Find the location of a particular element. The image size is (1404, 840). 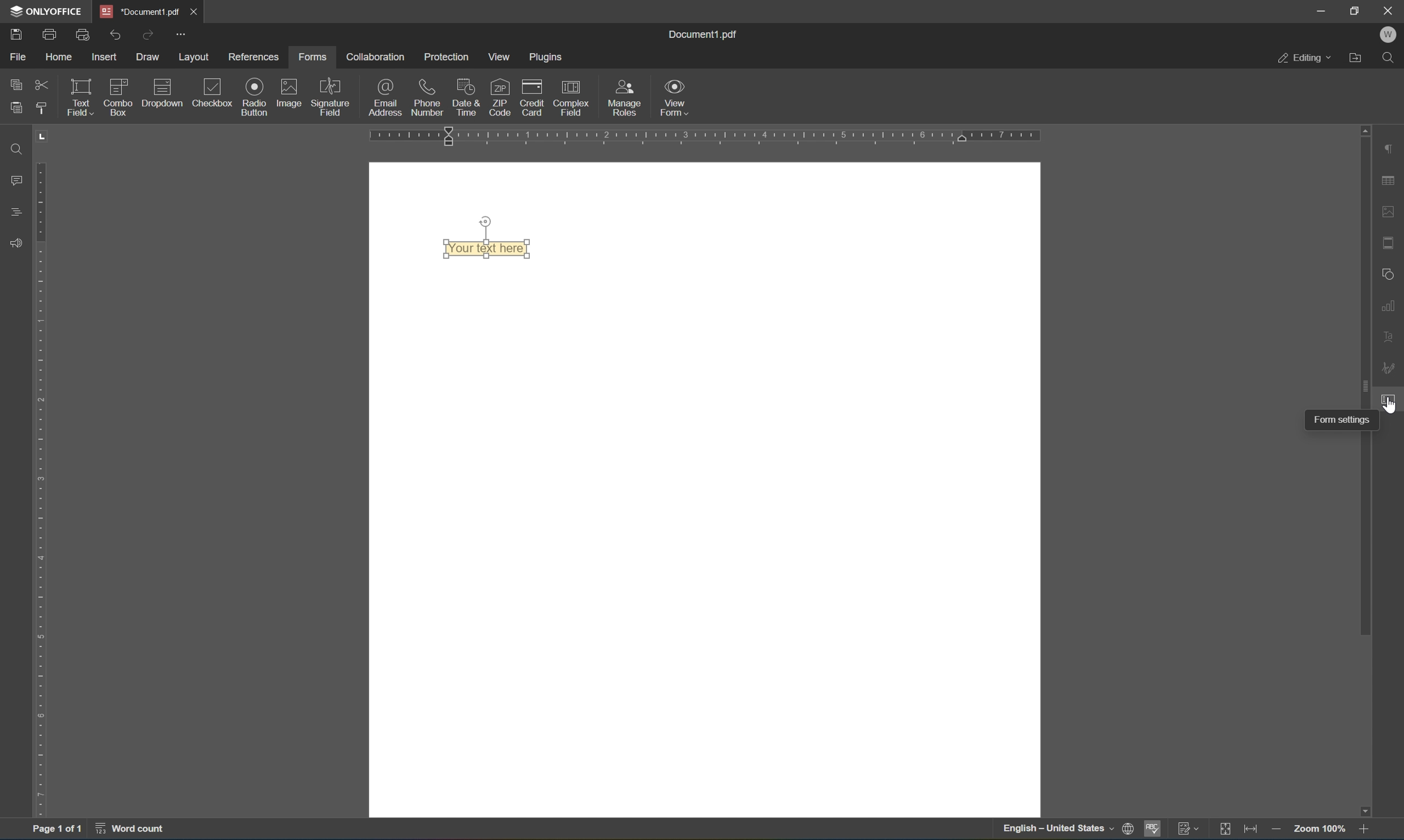

ZIP code is located at coordinates (499, 96).